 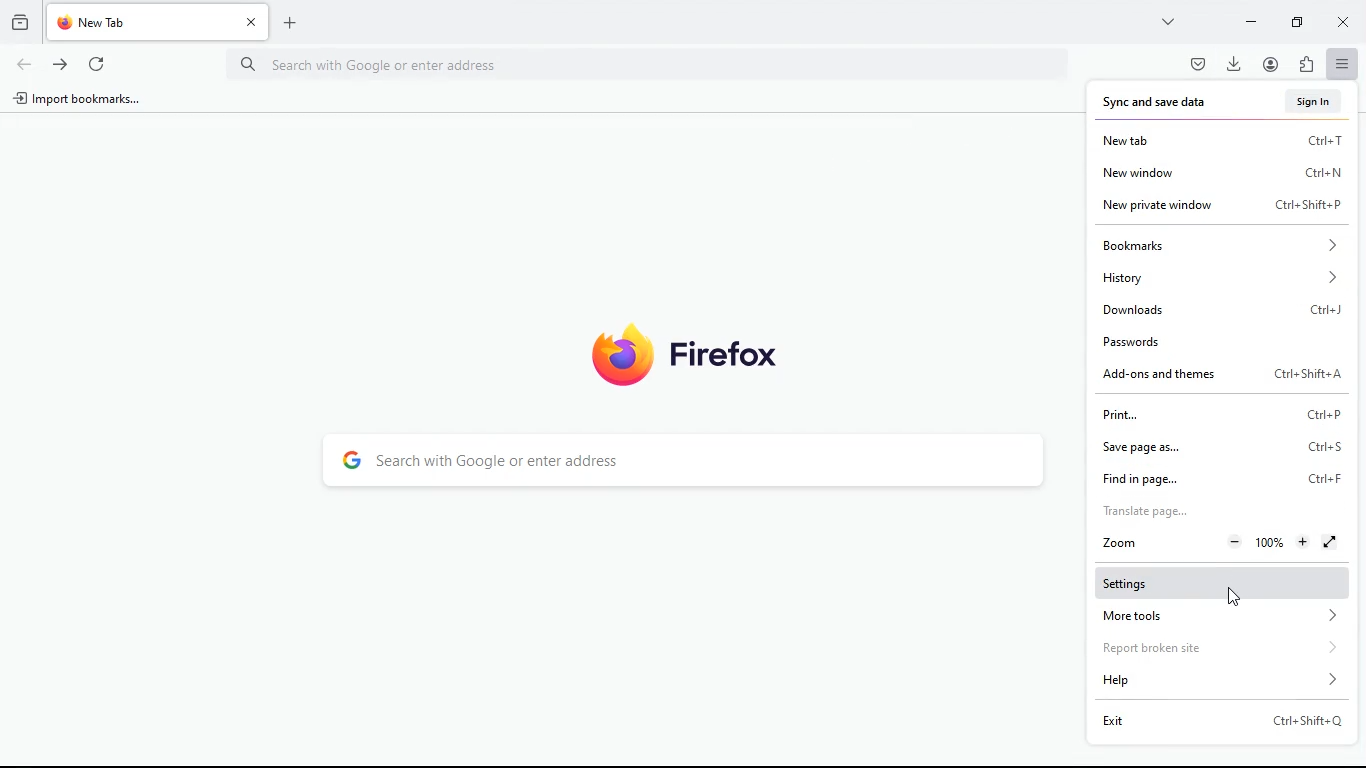 What do you see at coordinates (1218, 413) in the screenshot?
I see `print` at bounding box center [1218, 413].